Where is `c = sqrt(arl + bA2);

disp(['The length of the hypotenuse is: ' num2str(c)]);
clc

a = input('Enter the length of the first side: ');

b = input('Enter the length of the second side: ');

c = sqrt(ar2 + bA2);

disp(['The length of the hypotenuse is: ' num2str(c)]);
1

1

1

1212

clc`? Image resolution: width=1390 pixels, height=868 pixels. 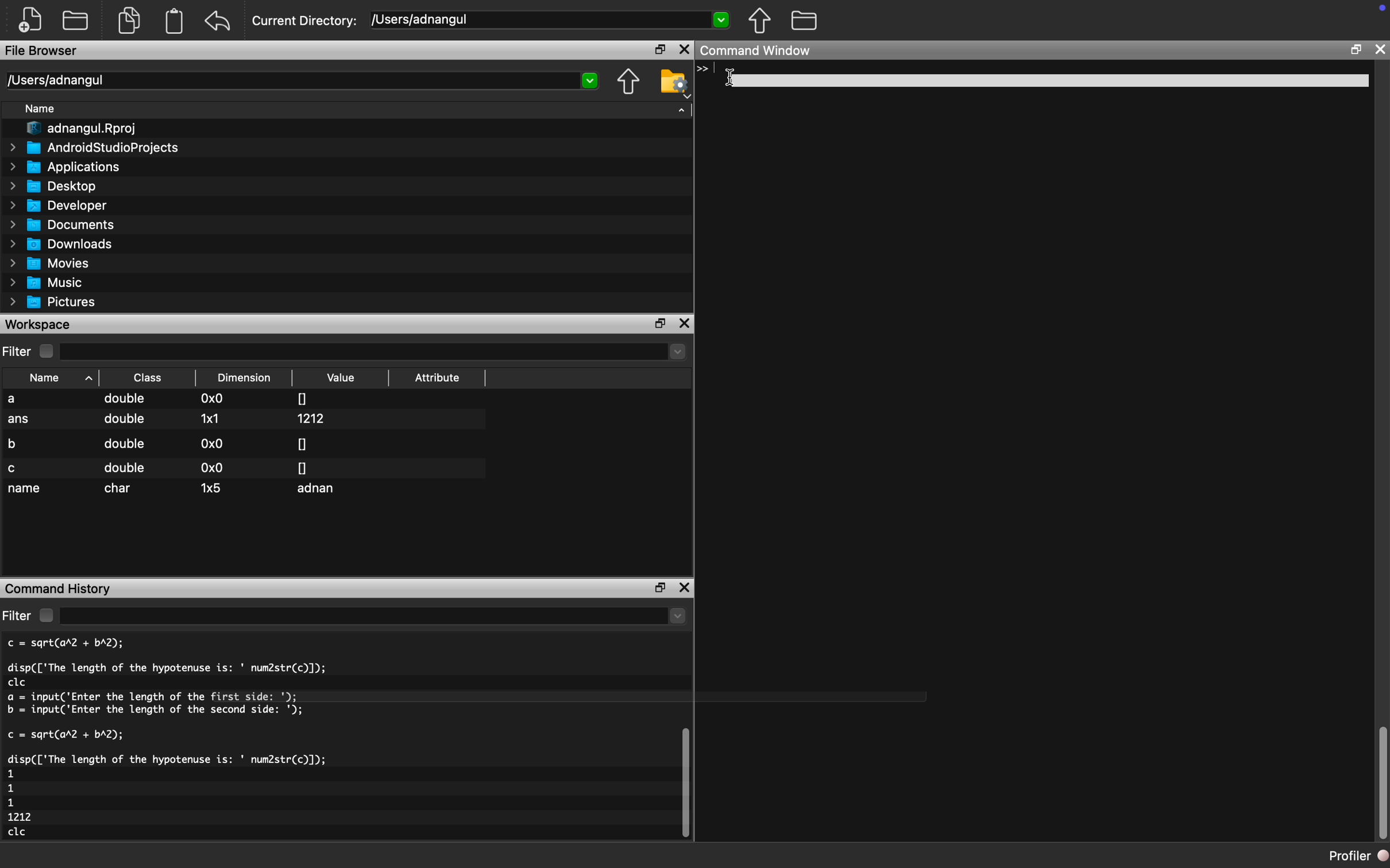 c = sqrt(arl + bA2);

disp(['The length of the hypotenuse is: ' num2str(c)]);
clc

a = input('Enter the length of the first side: ');

b = input('Enter the length of the second side: ');

c = sqrt(ar2 + bA2);

disp(['The length of the hypotenuse is: ' num2str(c)]);
1

1

1

1212

clc is located at coordinates (204, 741).